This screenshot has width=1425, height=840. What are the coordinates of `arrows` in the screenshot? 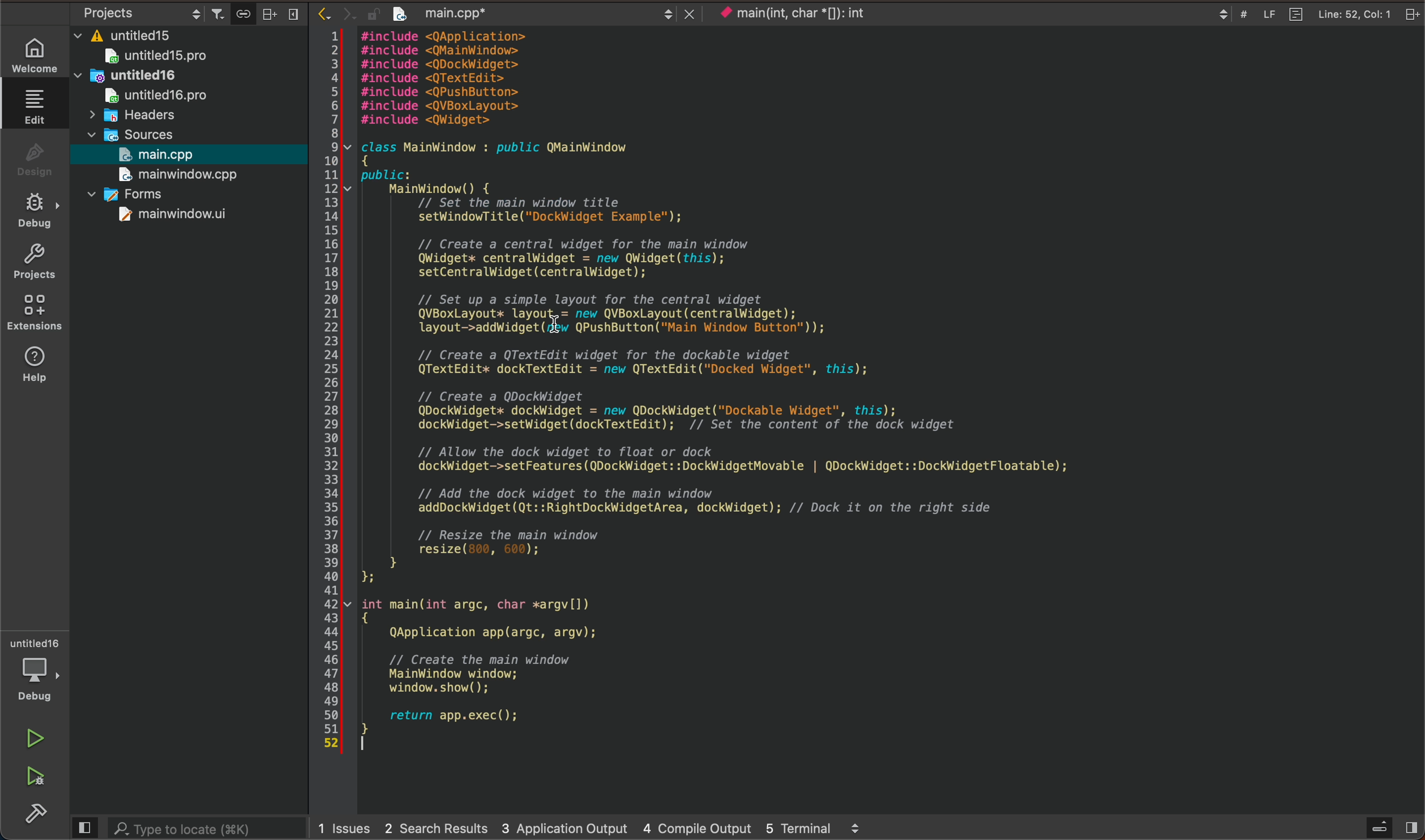 It's located at (332, 15).